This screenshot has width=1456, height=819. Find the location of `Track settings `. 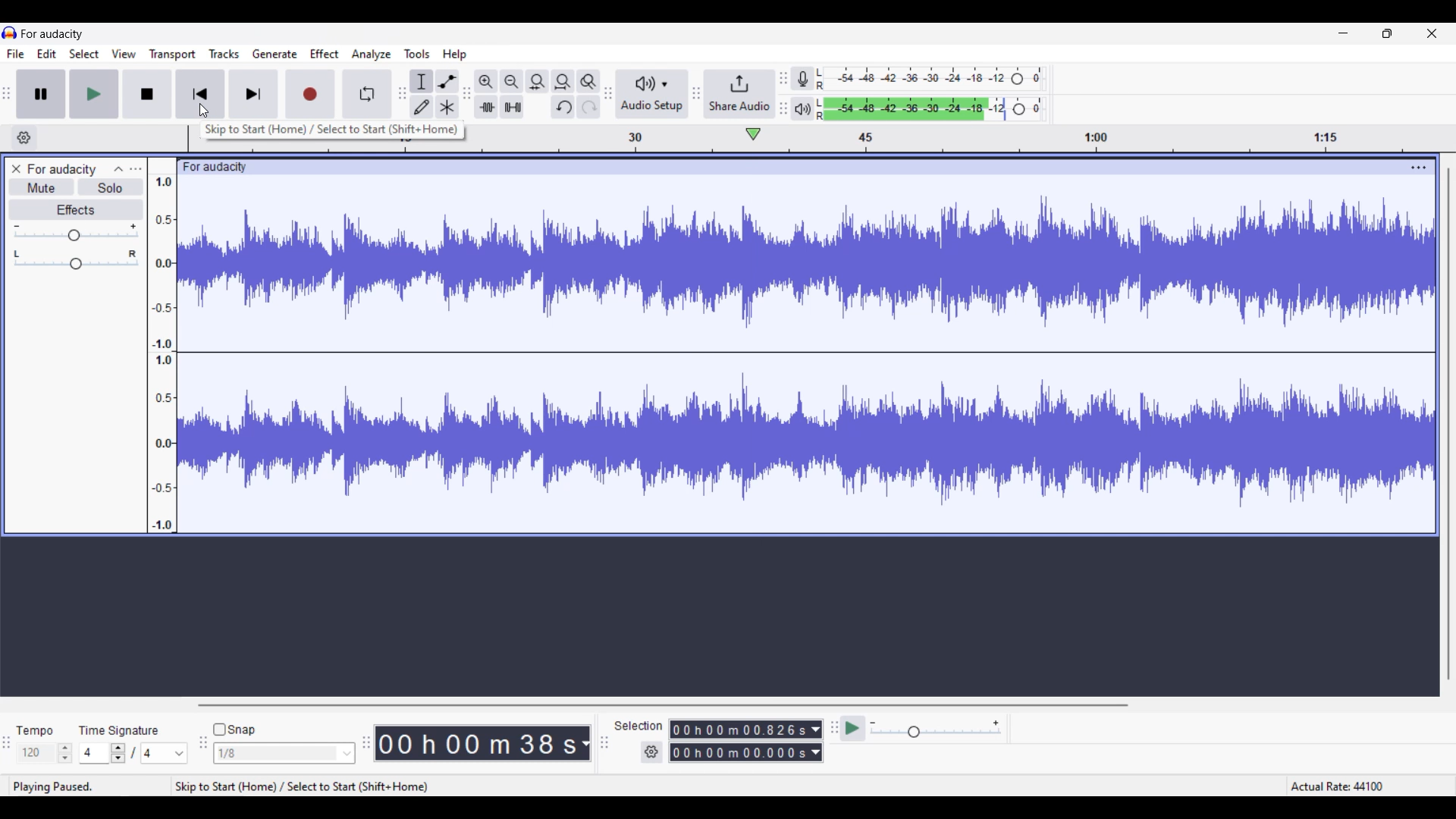

Track settings  is located at coordinates (1419, 168).